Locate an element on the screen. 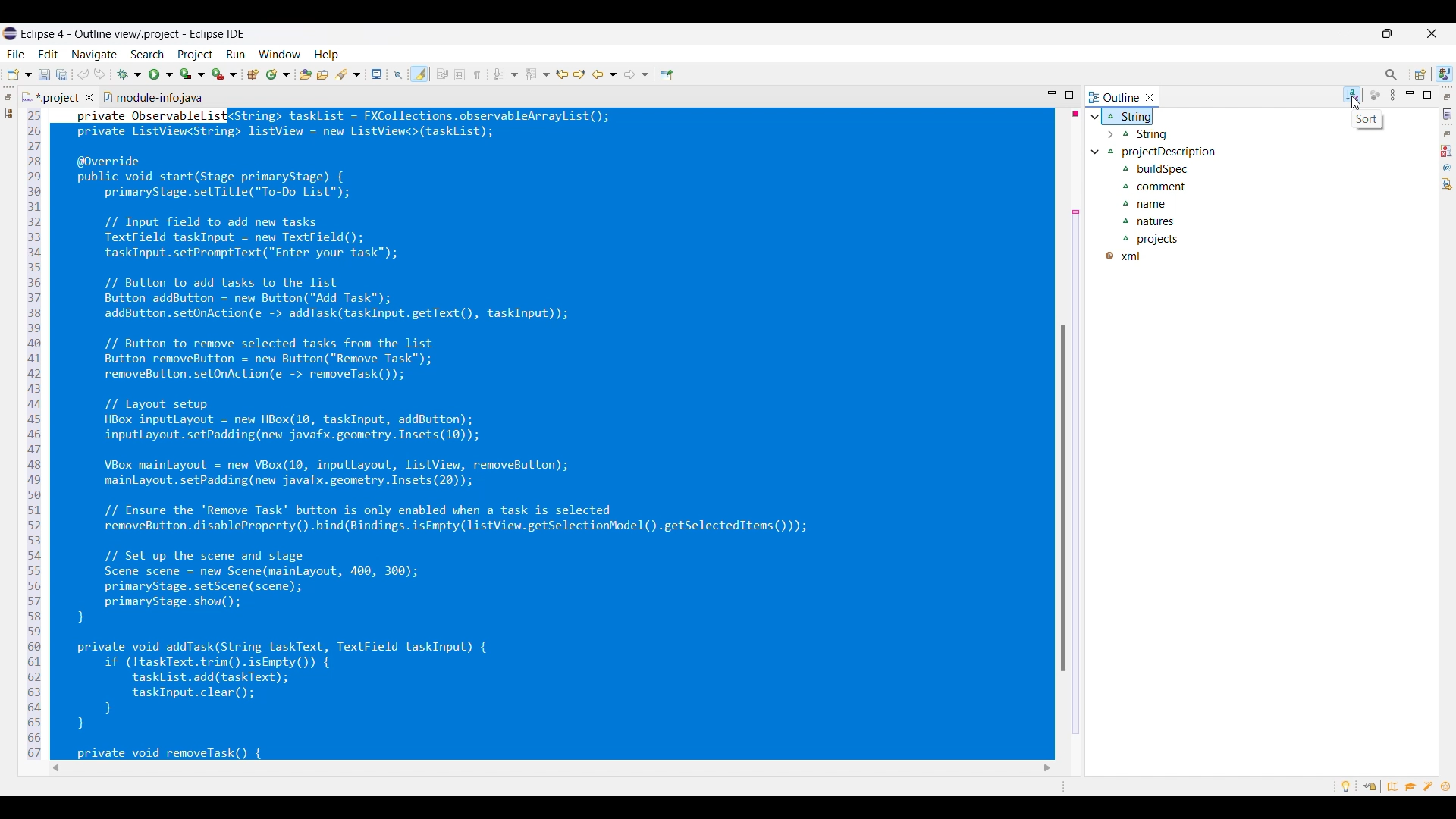 The image size is (1456, 819). maximize is located at coordinates (1068, 96).